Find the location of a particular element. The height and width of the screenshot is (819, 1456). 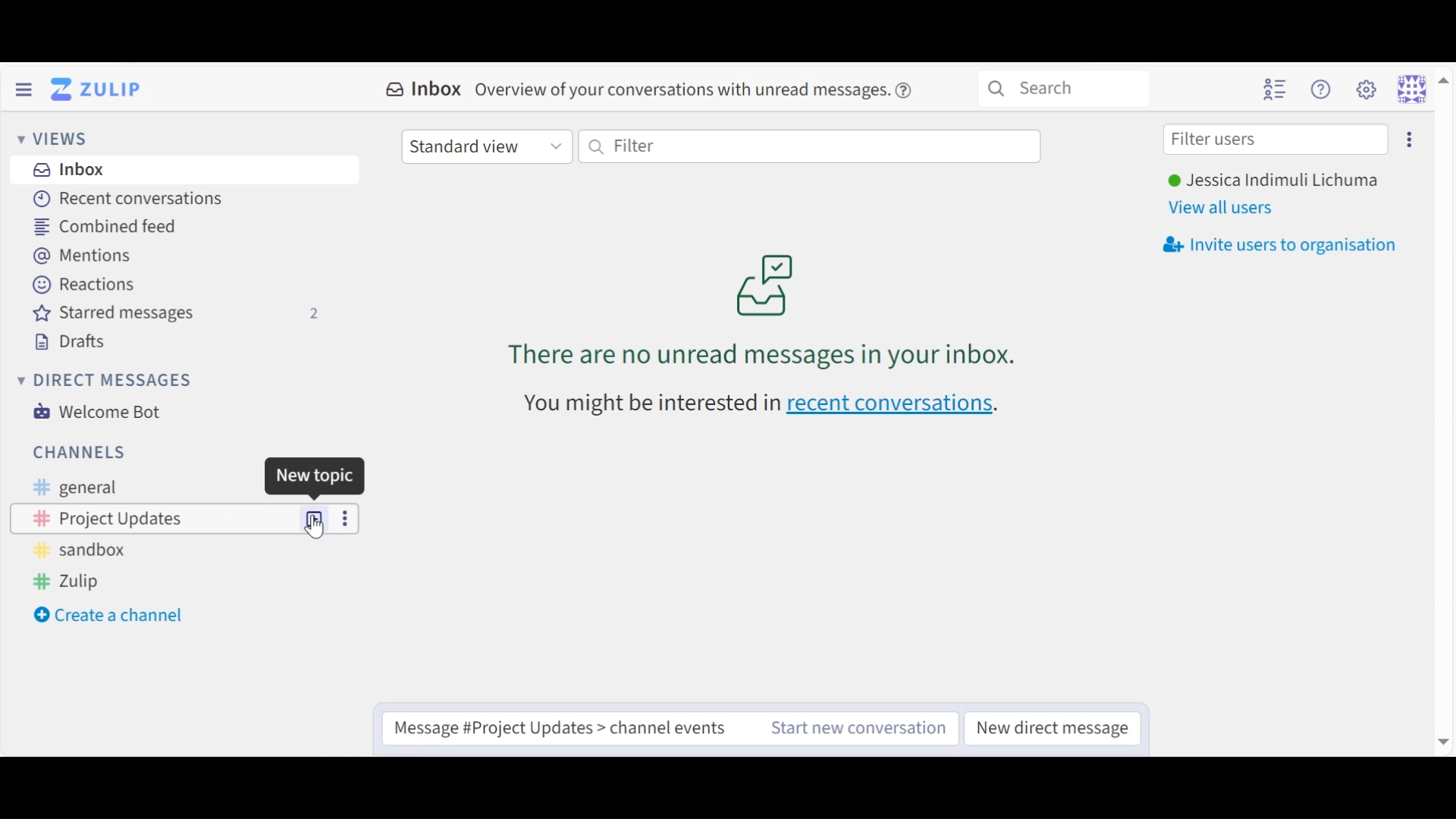

Sandbox Channel is located at coordinates (86, 553).